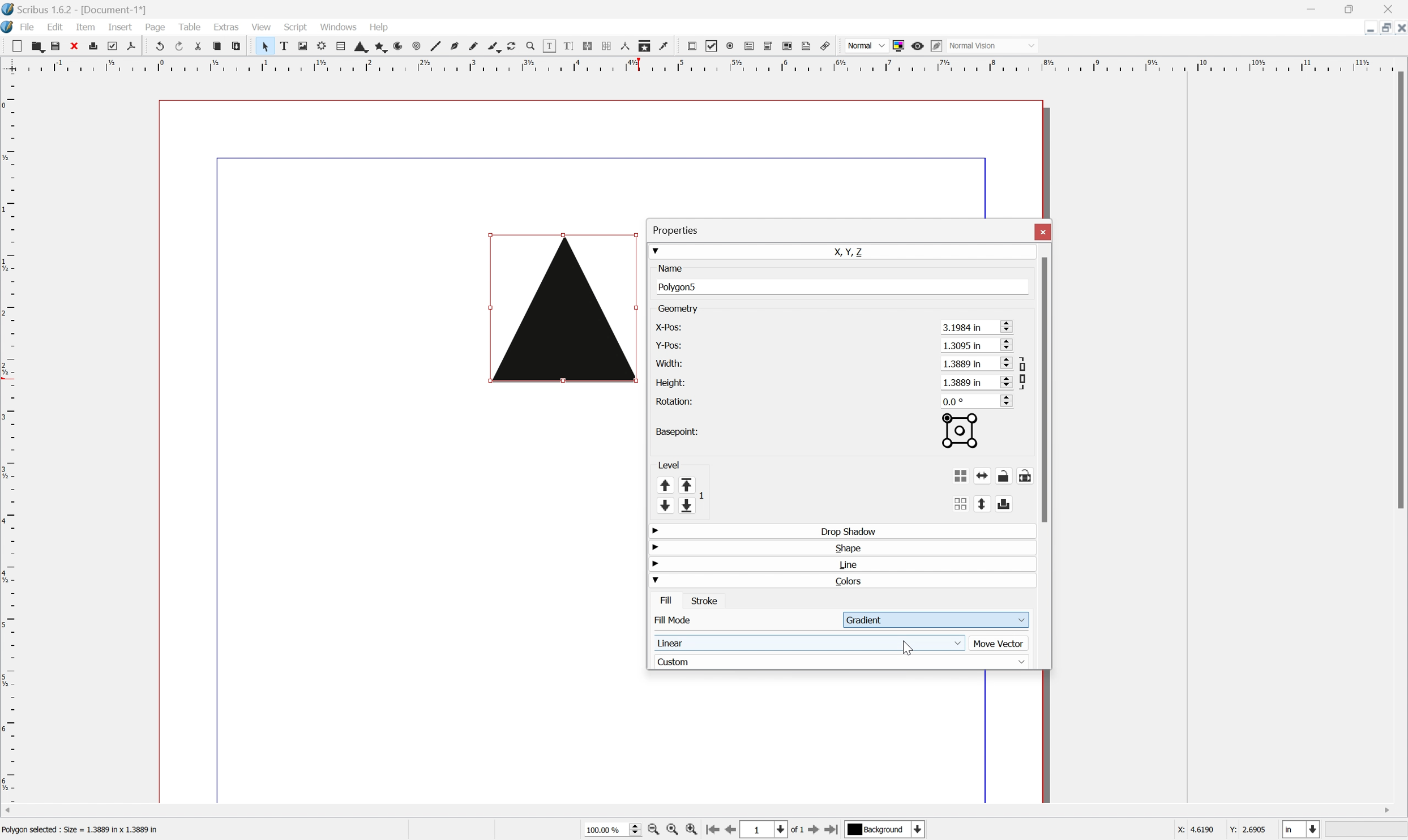 This screenshot has width=1408, height=840. What do you see at coordinates (814, 830) in the screenshot?
I see `Go to next page` at bounding box center [814, 830].